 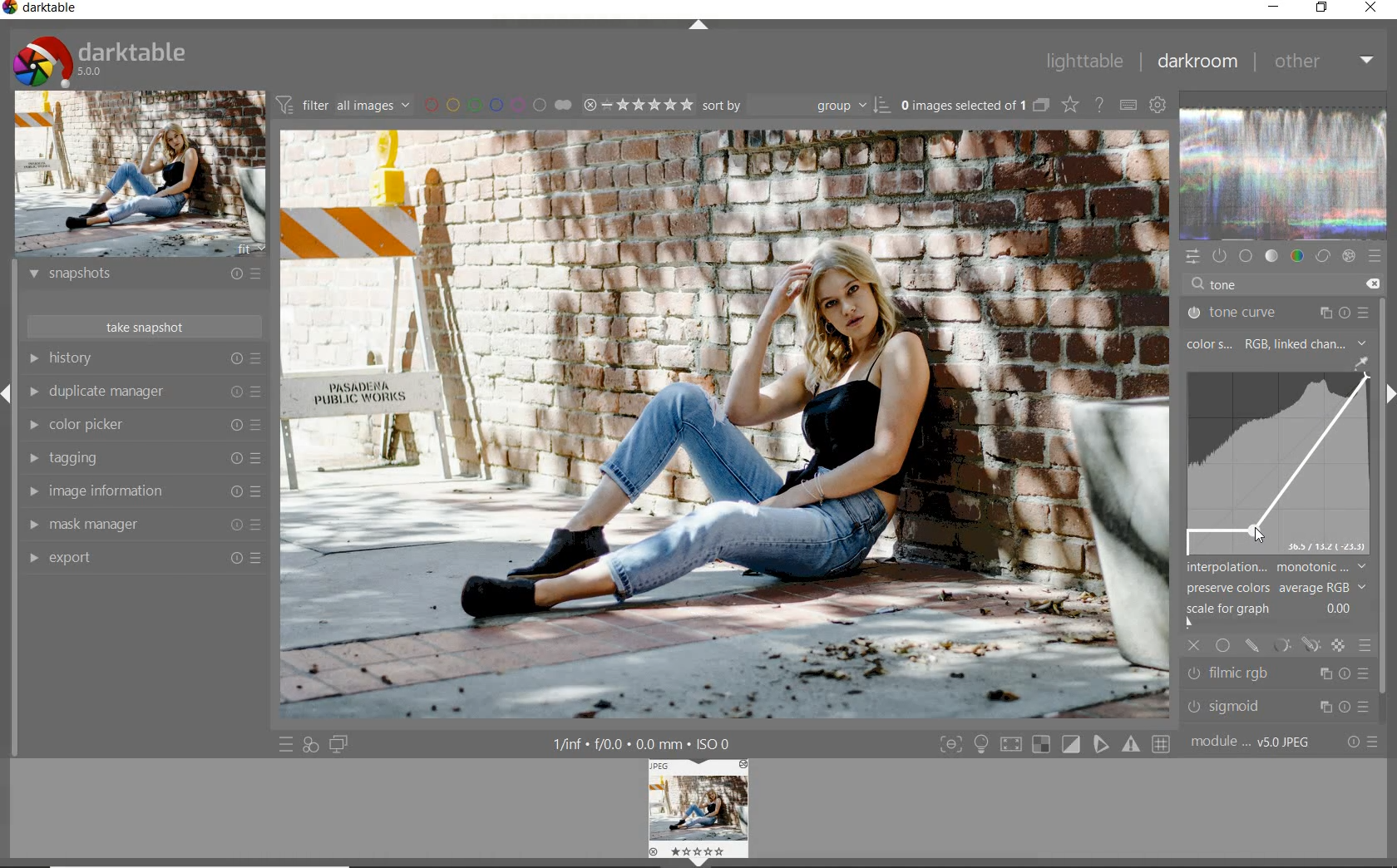 I want to click on expand/collapse, so click(x=698, y=27).